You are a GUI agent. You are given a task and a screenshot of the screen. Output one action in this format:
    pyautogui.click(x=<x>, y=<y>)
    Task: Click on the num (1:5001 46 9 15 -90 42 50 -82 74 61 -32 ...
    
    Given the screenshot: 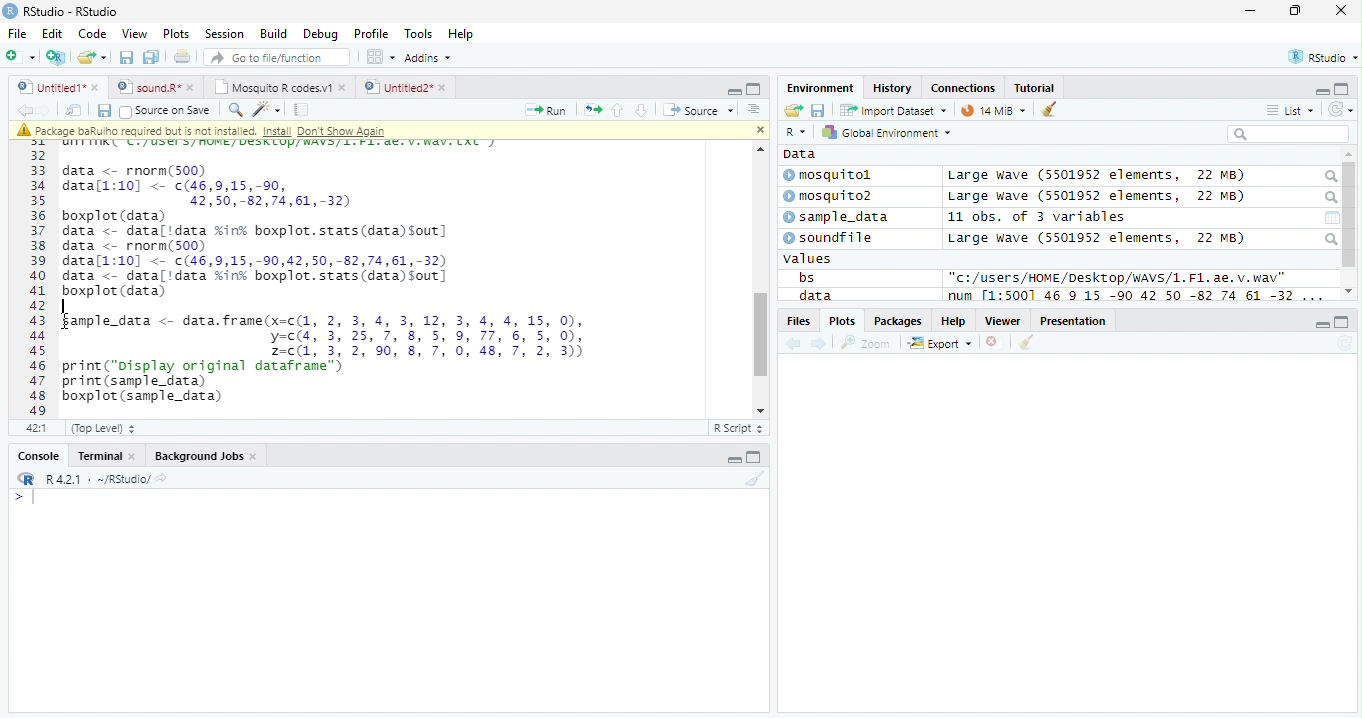 What is the action you would take?
    pyautogui.click(x=1138, y=296)
    